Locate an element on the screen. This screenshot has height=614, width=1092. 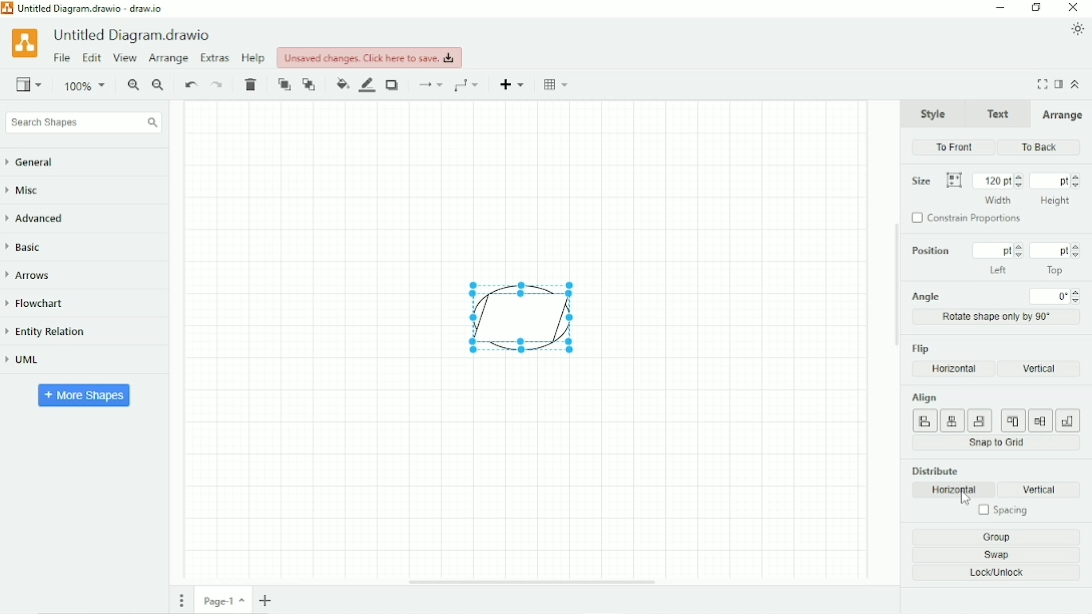
Distribute is located at coordinates (935, 470).